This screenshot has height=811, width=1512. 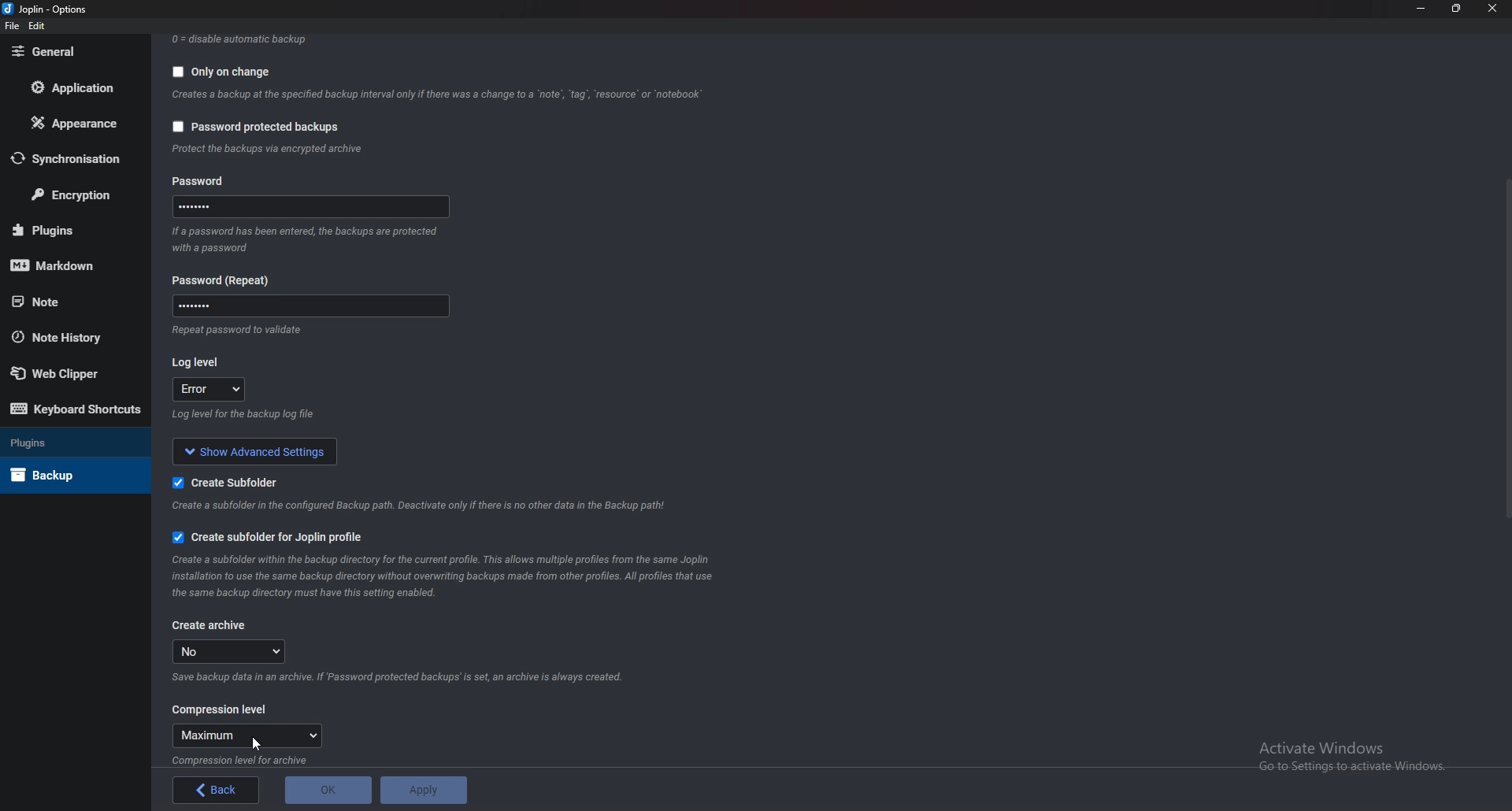 I want to click on Password, so click(x=315, y=206).